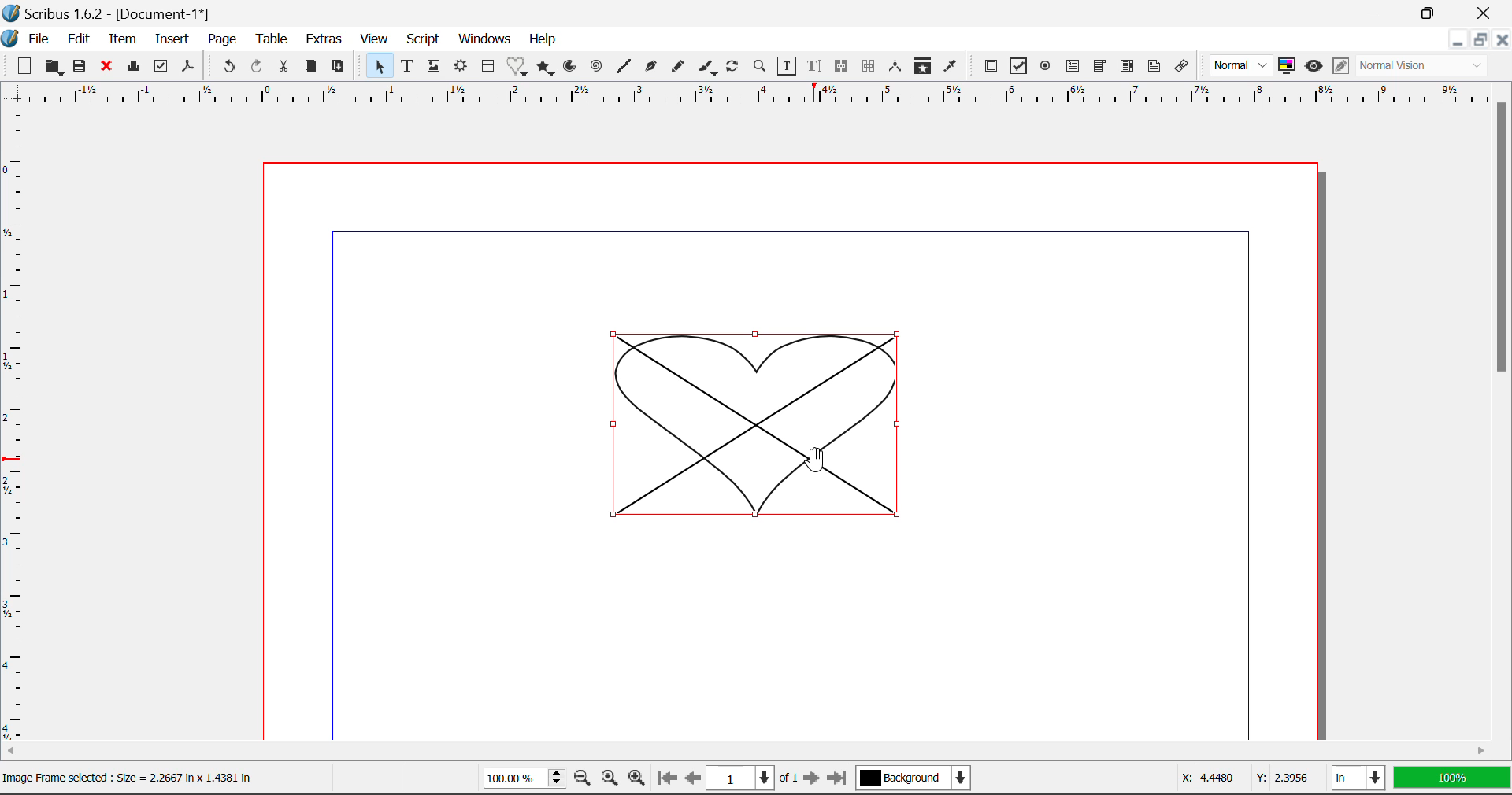 Image resolution: width=1512 pixels, height=795 pixels. What do you see at coordinates (55, 67) in the screenshot?
I see `Open` at bounding box center [55, 67].